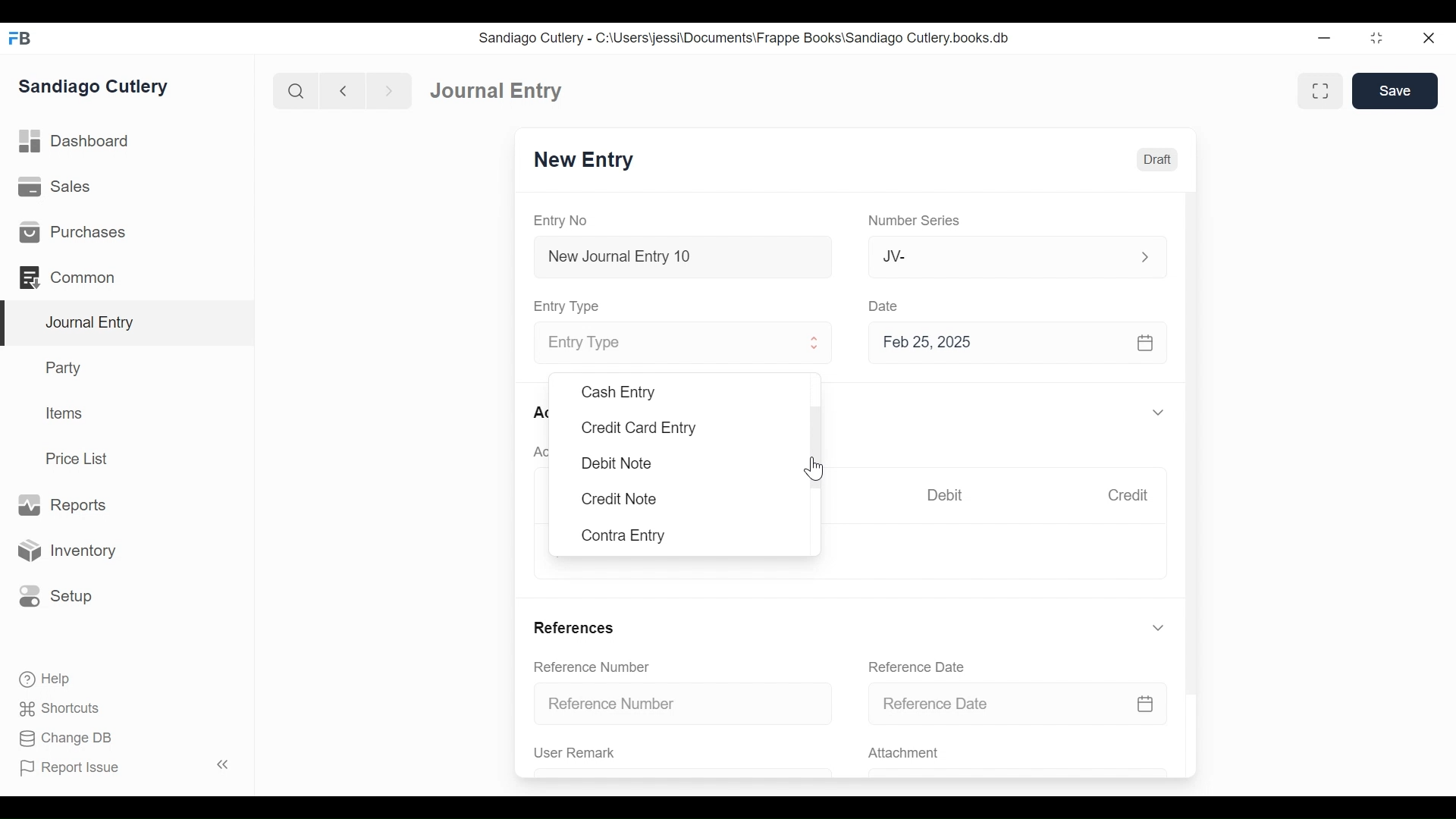  Describe the element at coordinates (626, 535) in the screenshot. I see `Contra Entry` at that location.